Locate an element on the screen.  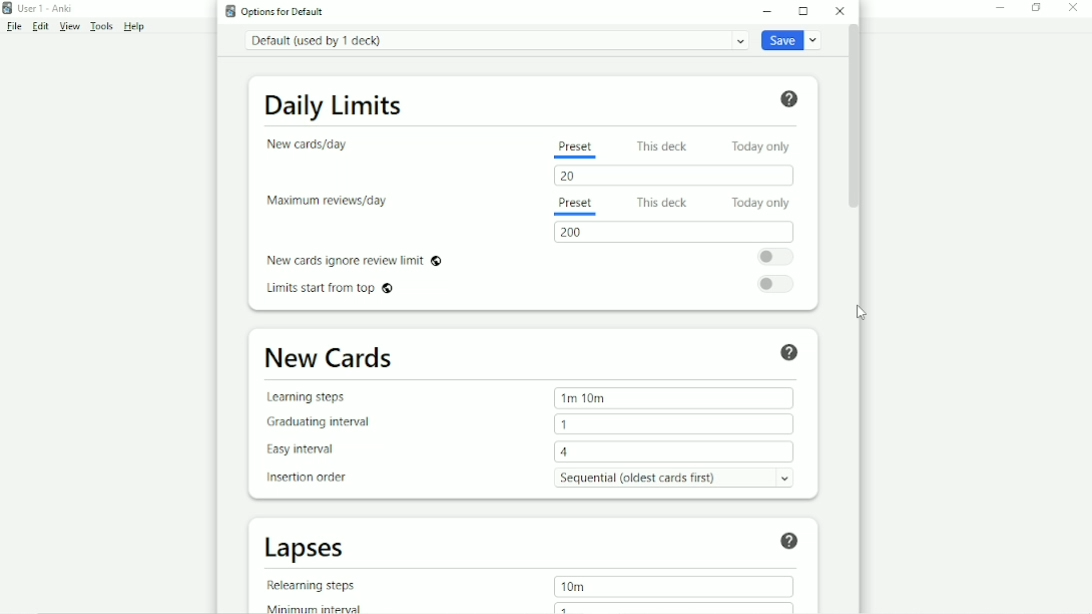
Close is located at coordinates (841, 11).